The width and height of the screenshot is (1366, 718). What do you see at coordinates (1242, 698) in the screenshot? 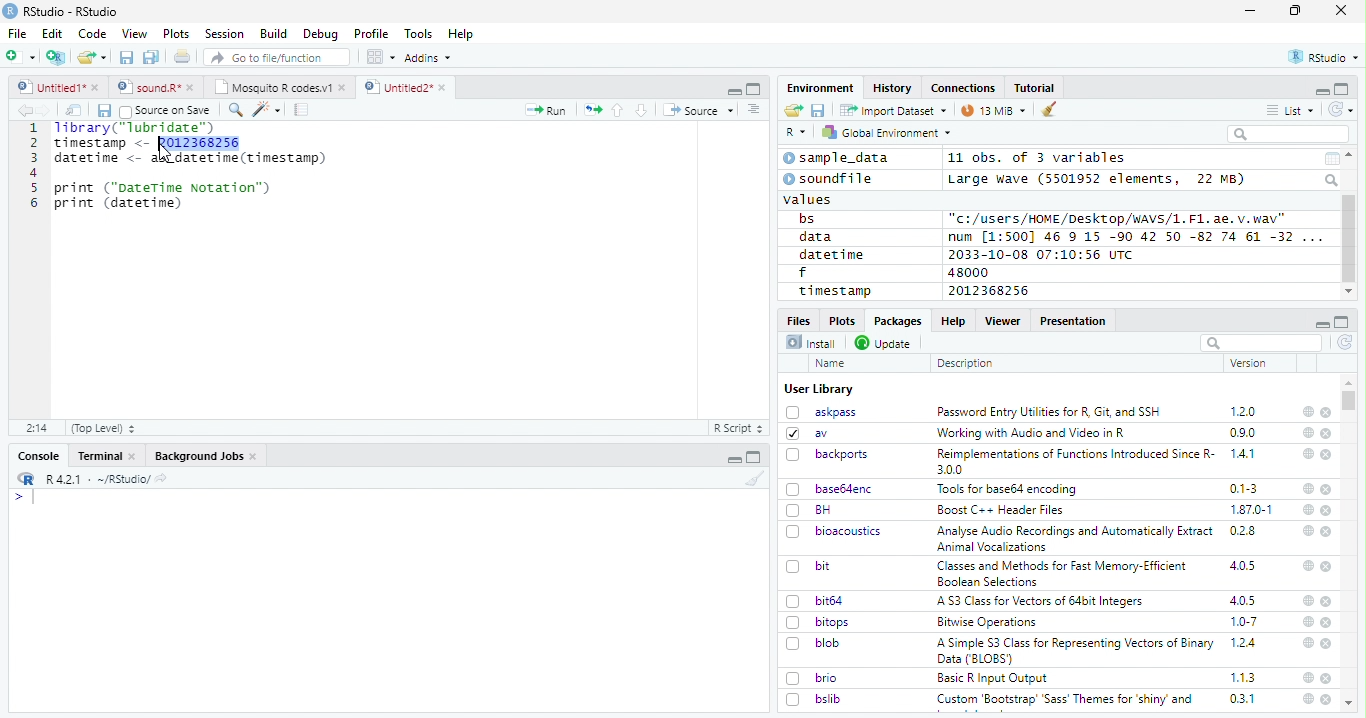
I see `0.3.1` at bounding box center [1242, 698].